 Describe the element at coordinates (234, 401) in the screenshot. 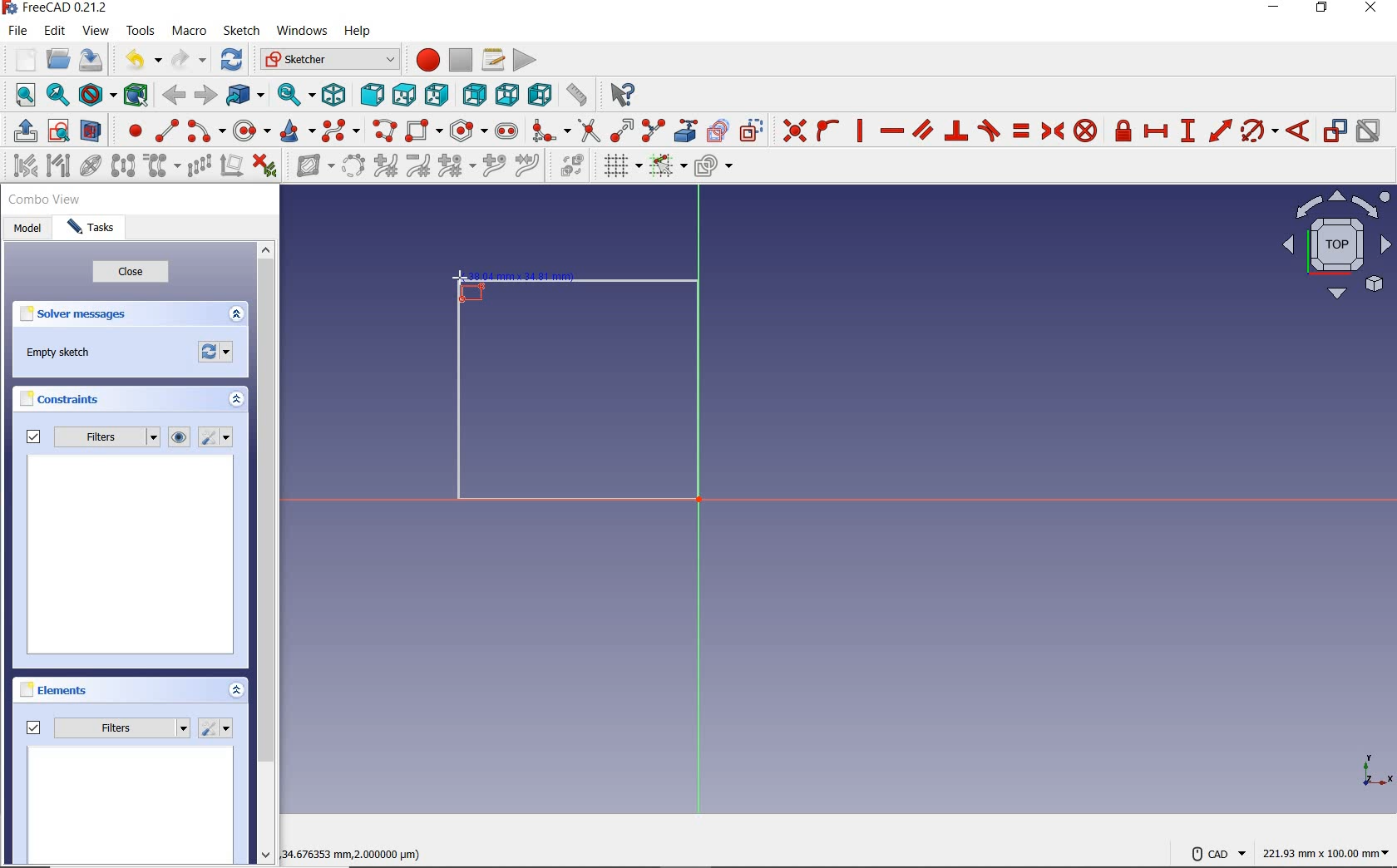

I see `expand` at that location.